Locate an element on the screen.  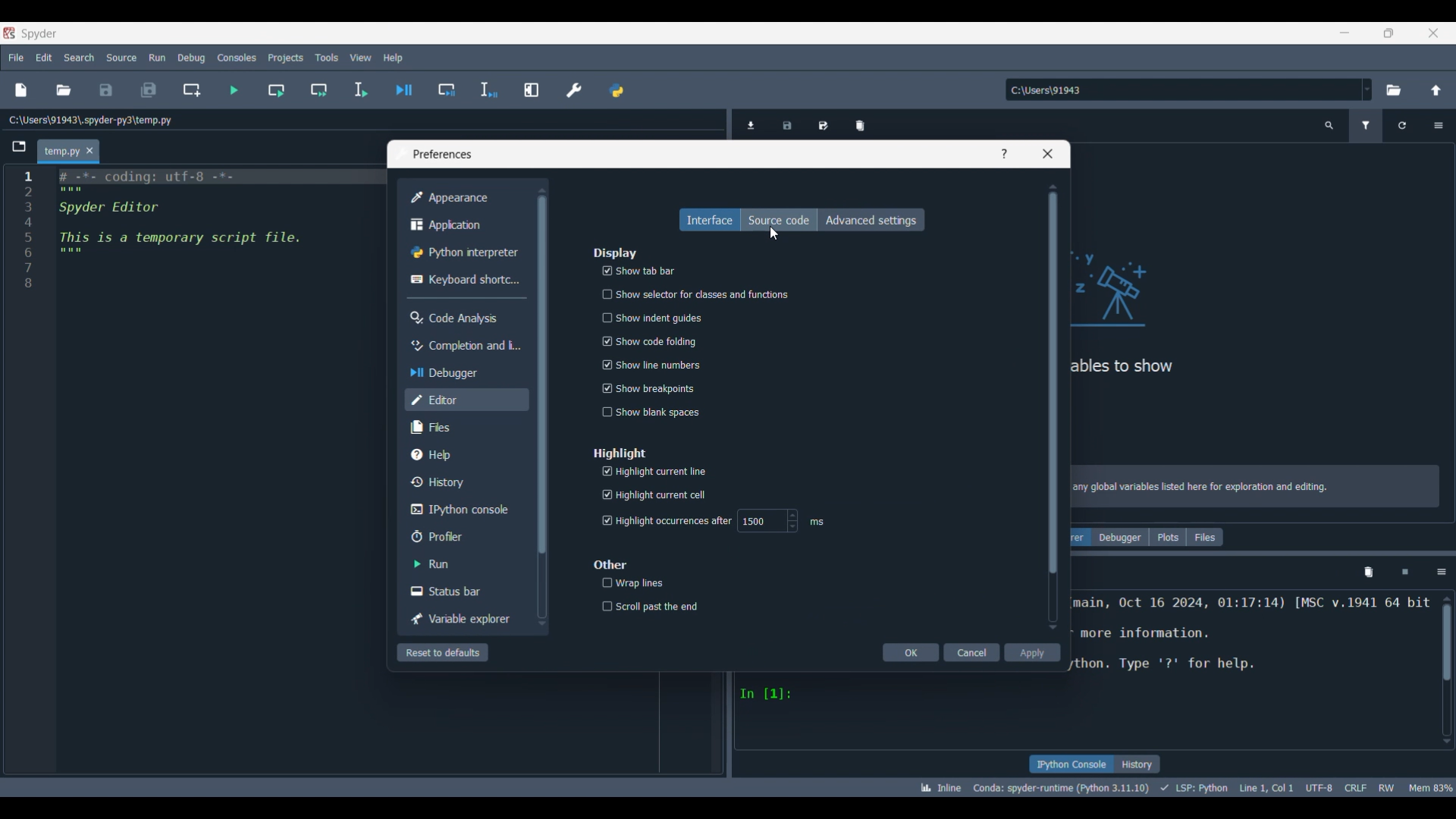
Source menu is located at coordinates (121, 58).